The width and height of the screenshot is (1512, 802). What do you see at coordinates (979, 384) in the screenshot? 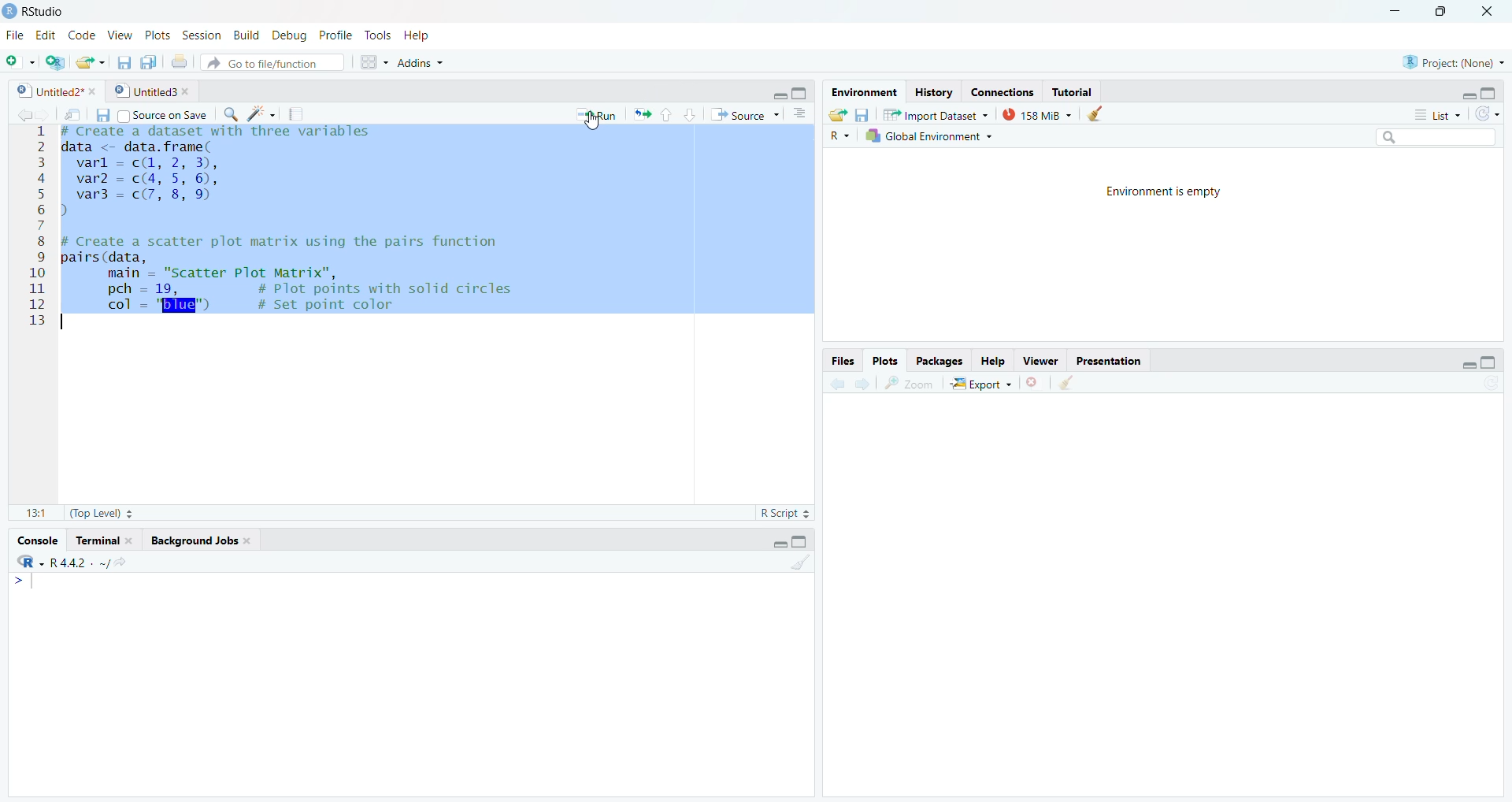
I see `Export` at bounding box center [979, 384].